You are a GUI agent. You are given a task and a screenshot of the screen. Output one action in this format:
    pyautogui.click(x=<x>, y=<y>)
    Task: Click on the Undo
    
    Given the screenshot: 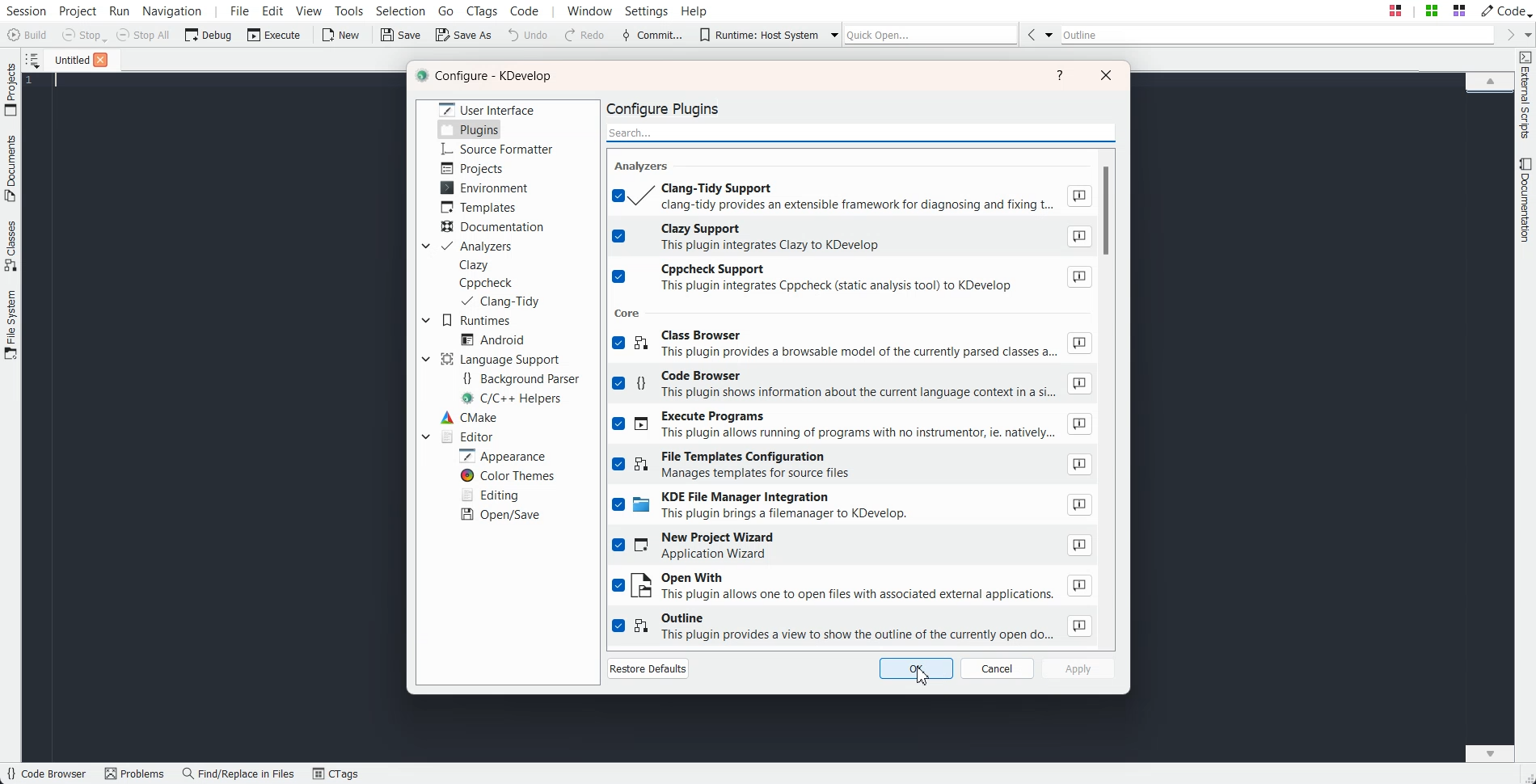 What is the action you would take?
    pyautogui.click(x=528, y=34)
    